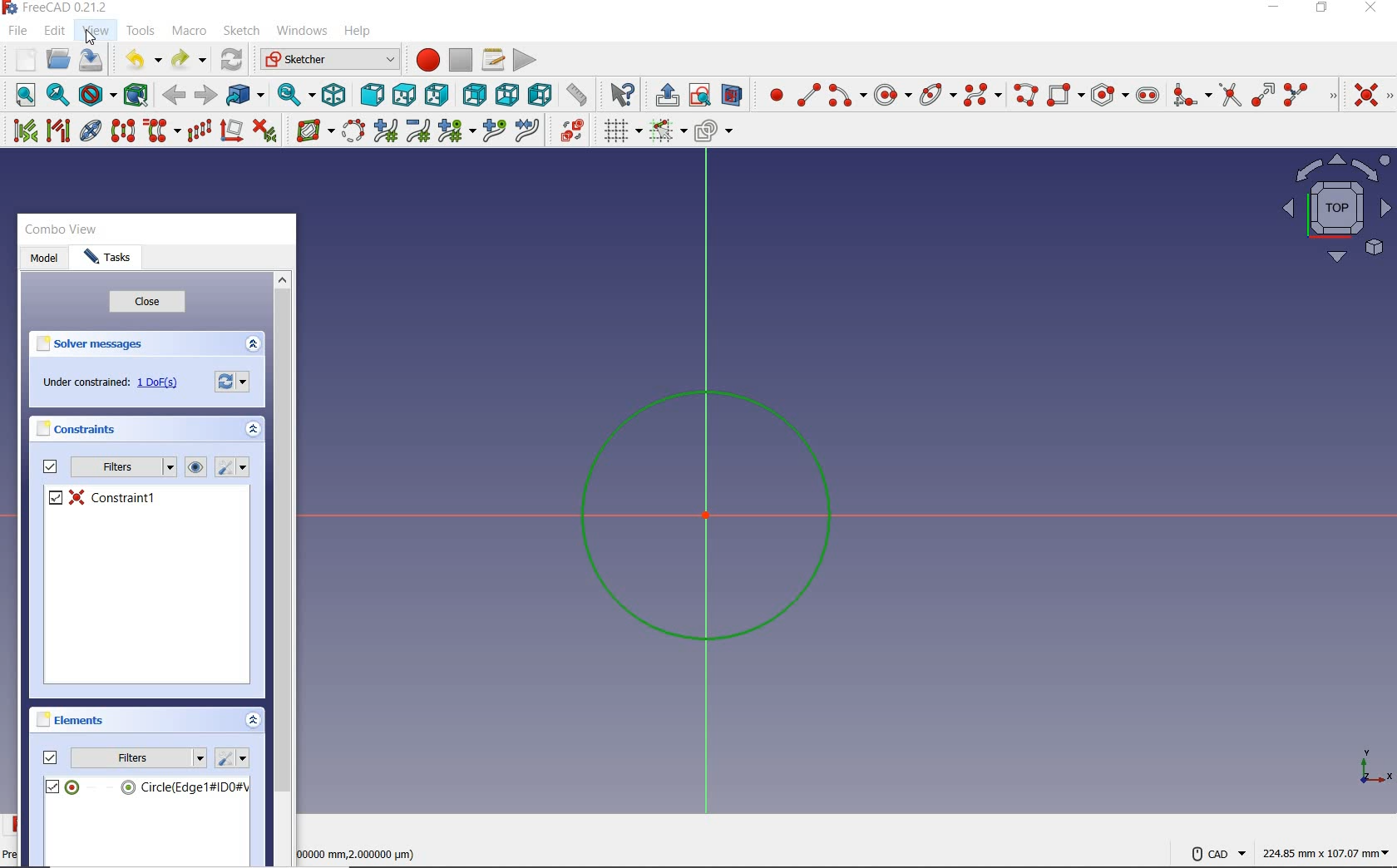 The image size is (1397, 868). Describe the element at coordinates (506, 94) in the screenshot. I see `bottom` at that location.